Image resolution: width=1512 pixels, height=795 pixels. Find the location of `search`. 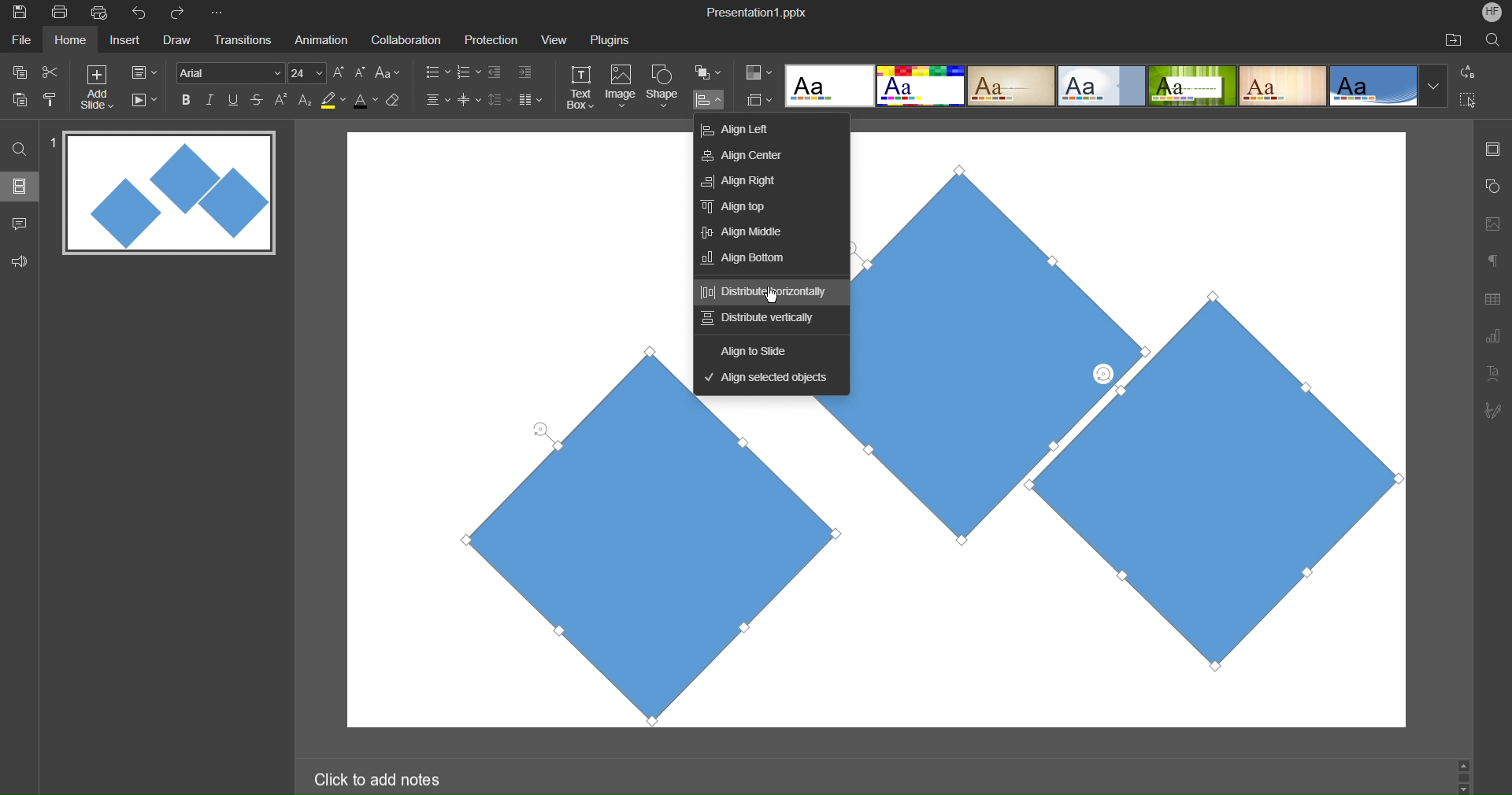

search is located at coordinates (1495, 39).